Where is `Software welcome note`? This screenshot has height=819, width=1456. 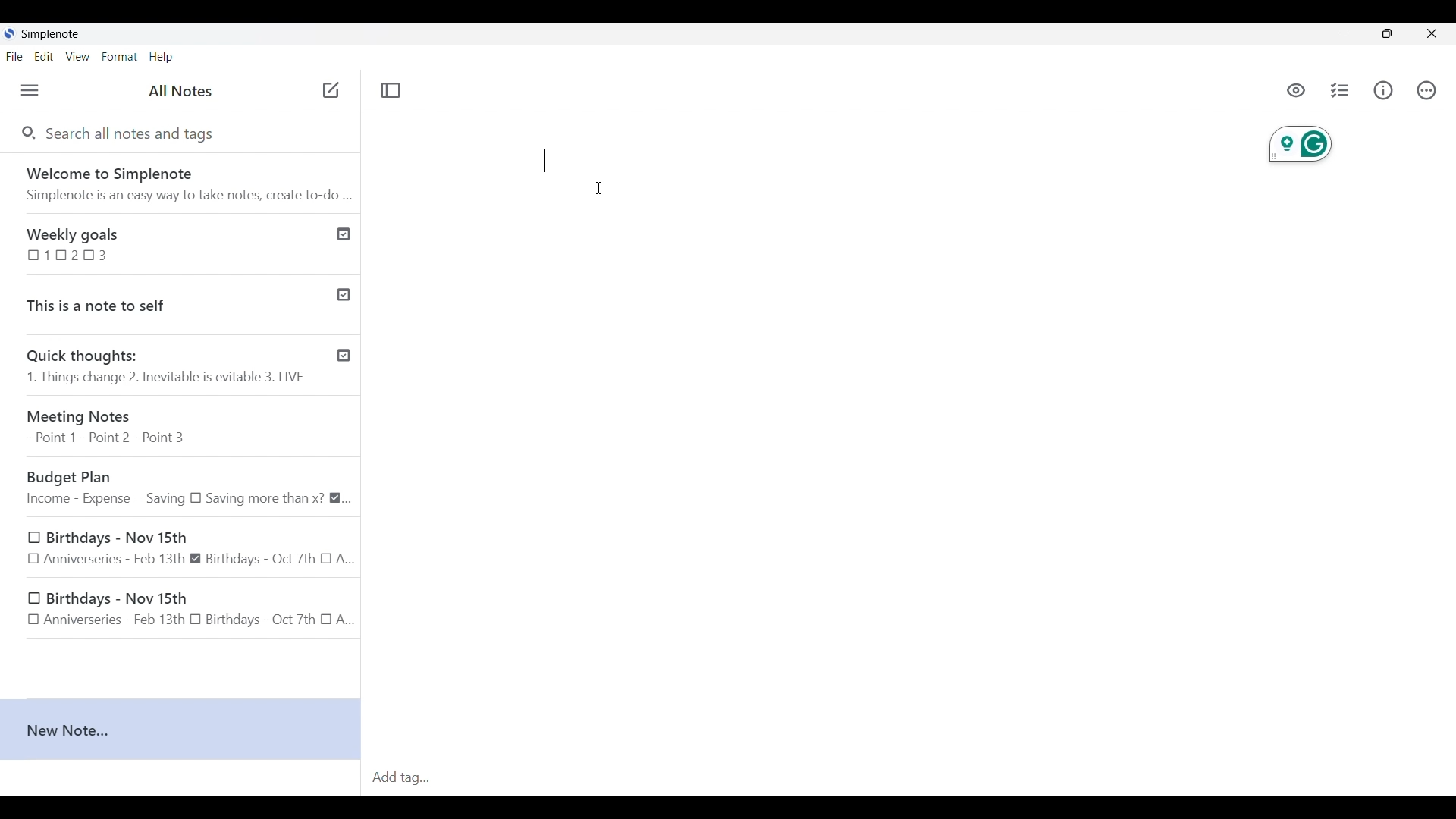
Software welcome note is located at coordinates (179, 180).